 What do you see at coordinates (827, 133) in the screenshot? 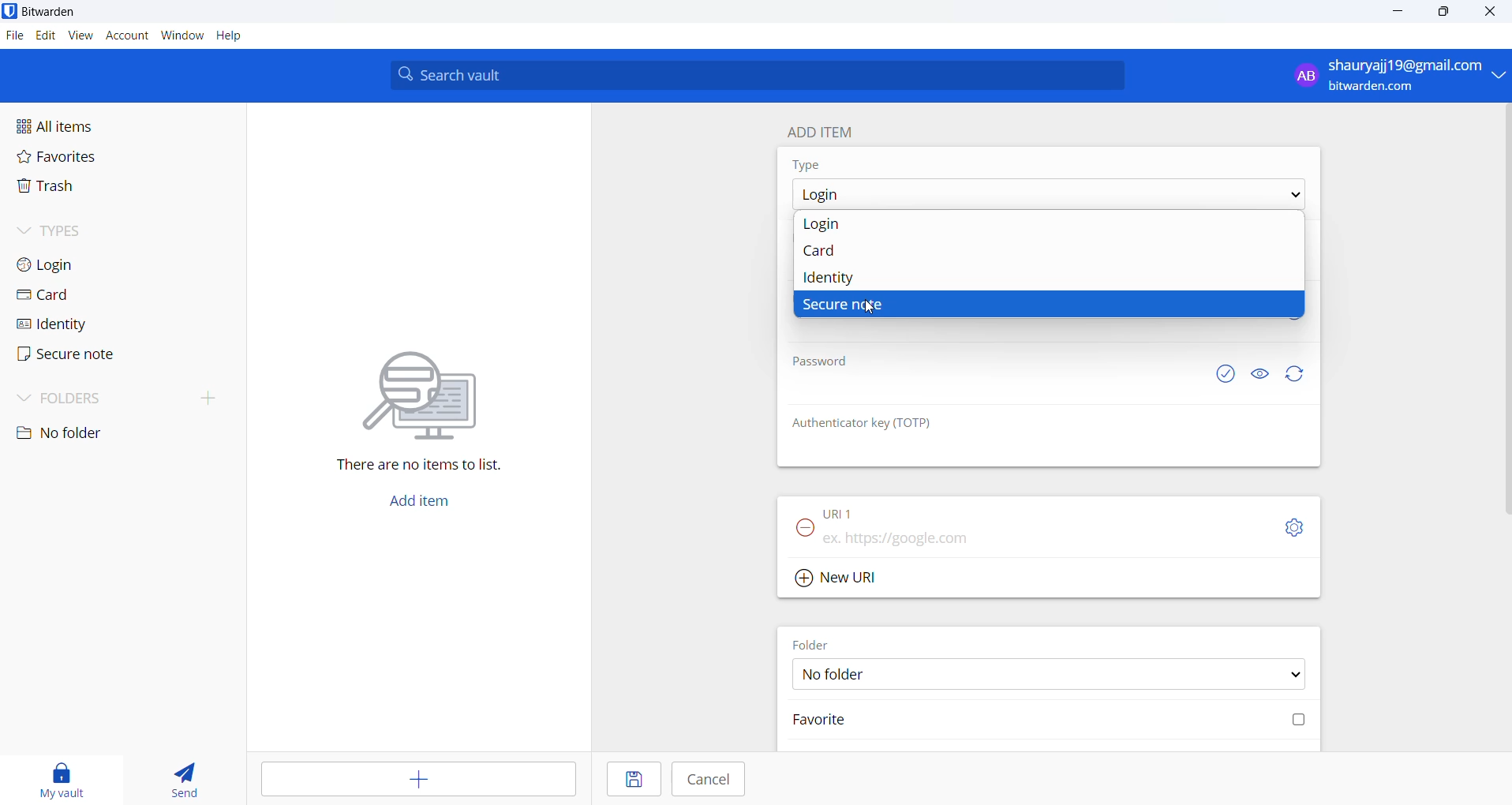
I see `add item heading` at bounding box center [827, 133].